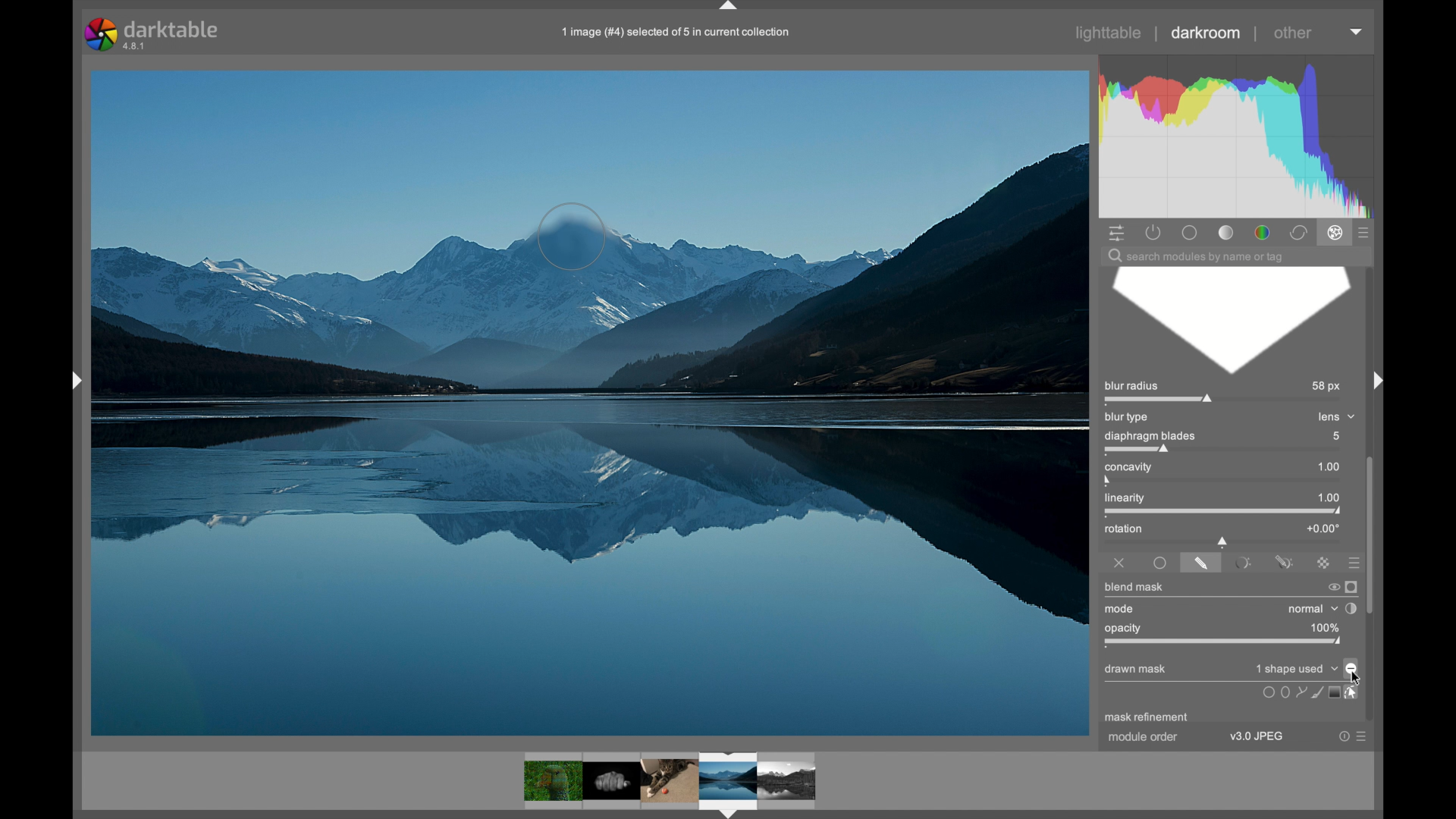 This screenshot has width=1456, height=819. What do you see at coordinates (1223, 541) in the screenshot?
I see `slider` at bounding box center [1223, 541].